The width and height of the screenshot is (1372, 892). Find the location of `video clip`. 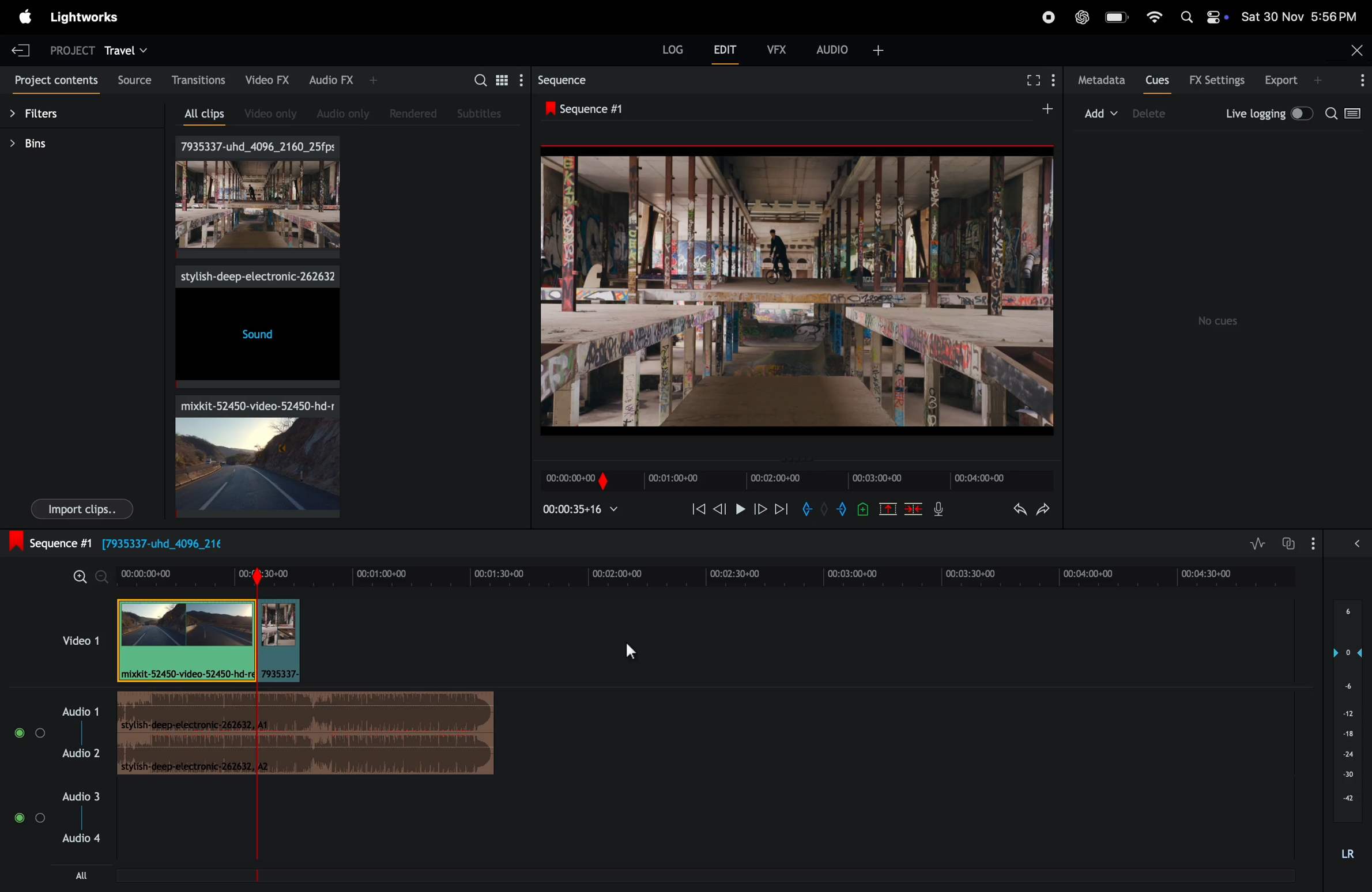

video clip is located at coordinates (186, 640).